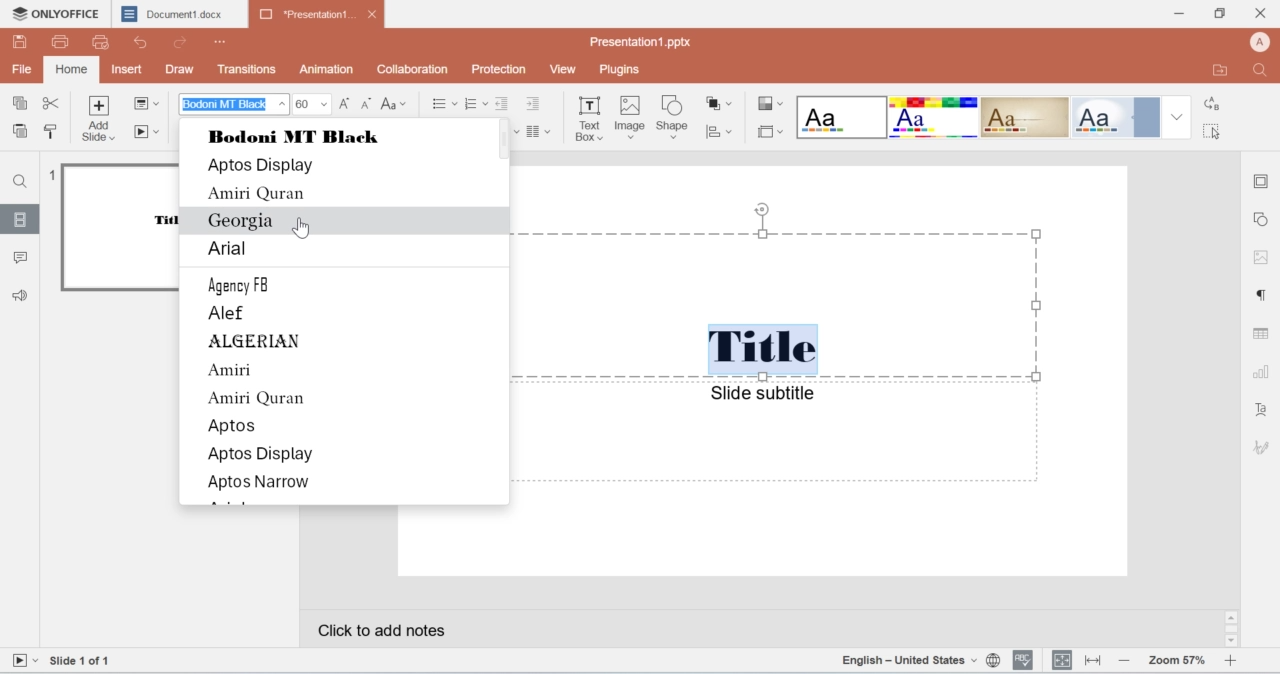 The image size is (1280, 674). What do you see at coordinates (1218, 14) in the screenshot?
I see `minimize/maximize` at bounding box center [1218, 14].